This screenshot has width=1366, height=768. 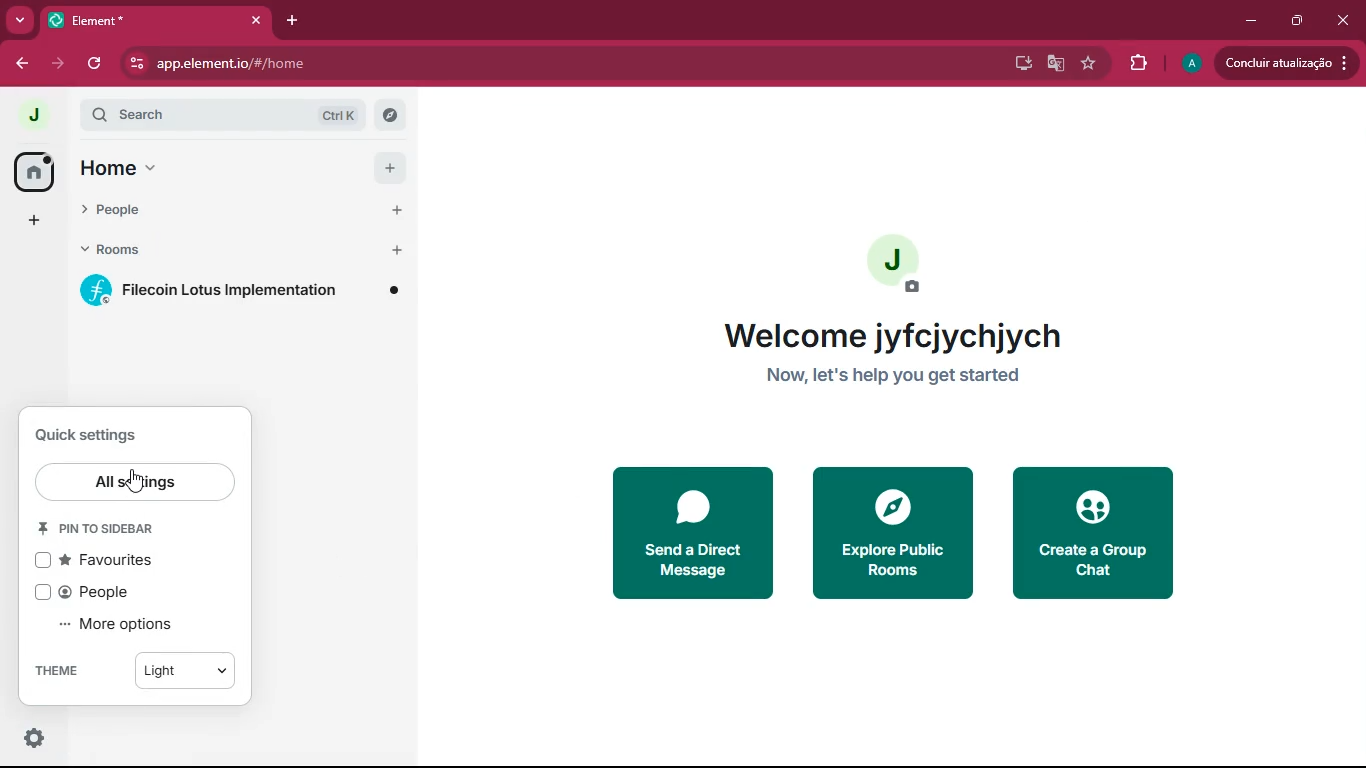 What do you see at coordinates (240, 169) in the screenshot?
I see `home` at bounding box center [240, 169].